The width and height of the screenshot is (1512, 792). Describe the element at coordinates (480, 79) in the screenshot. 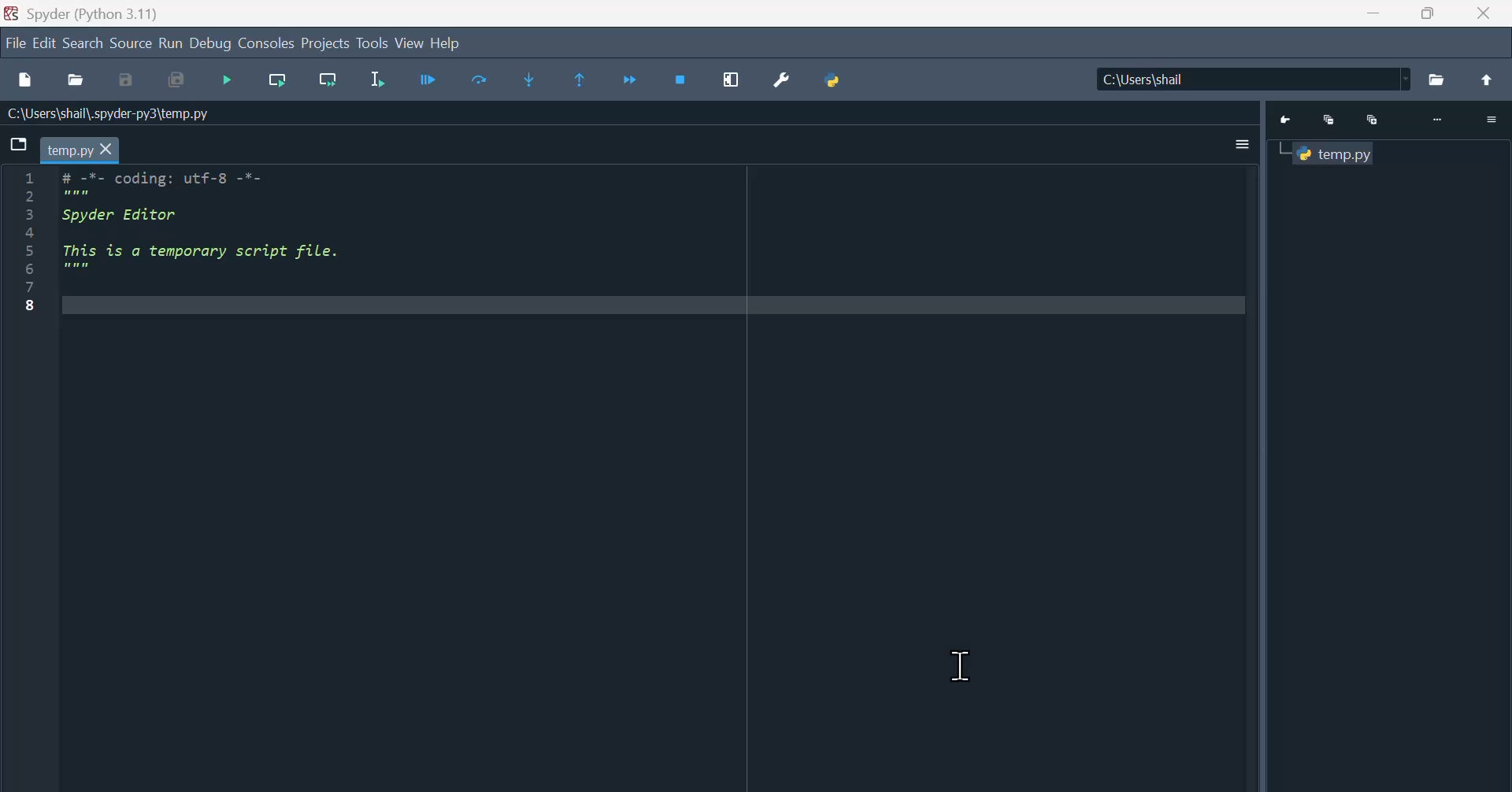

I see `Run Cell` at that location.